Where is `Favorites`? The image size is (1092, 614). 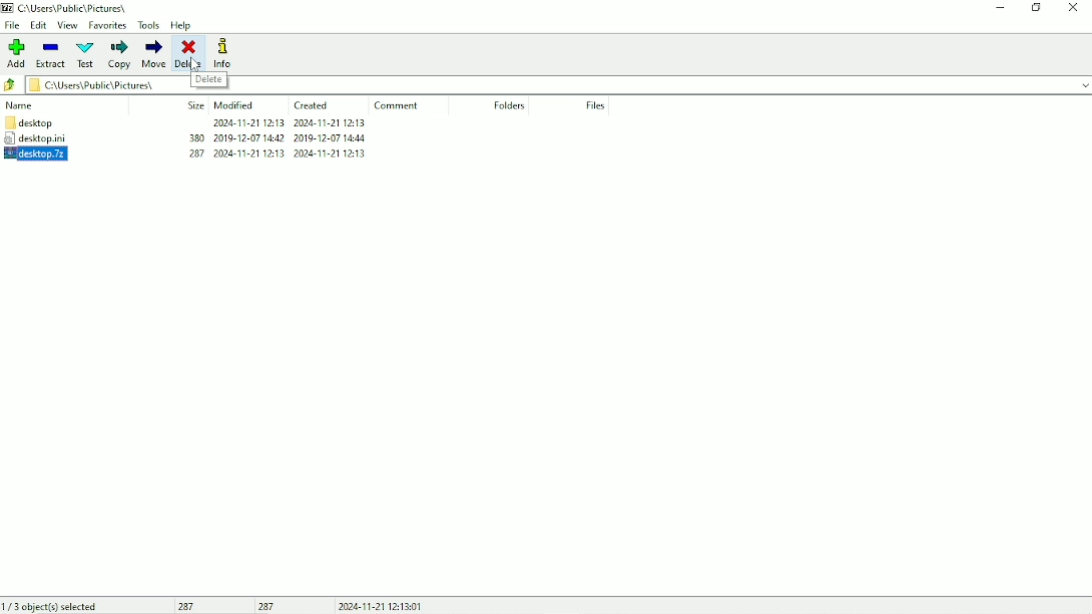
Favorites is located at coordinates (107, 26).